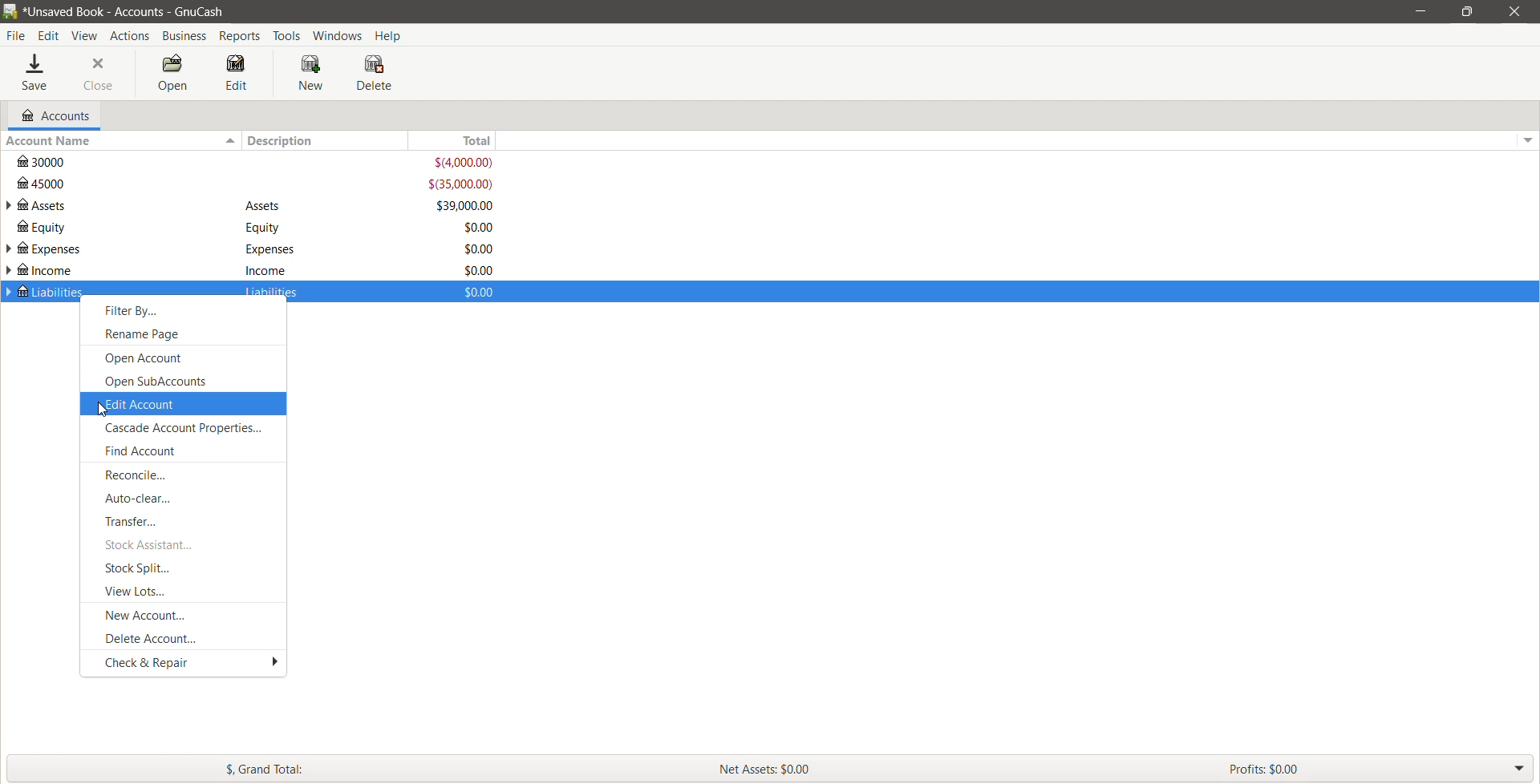 The image size is (1540, 784). I want to click on Save, so click(37, 74).